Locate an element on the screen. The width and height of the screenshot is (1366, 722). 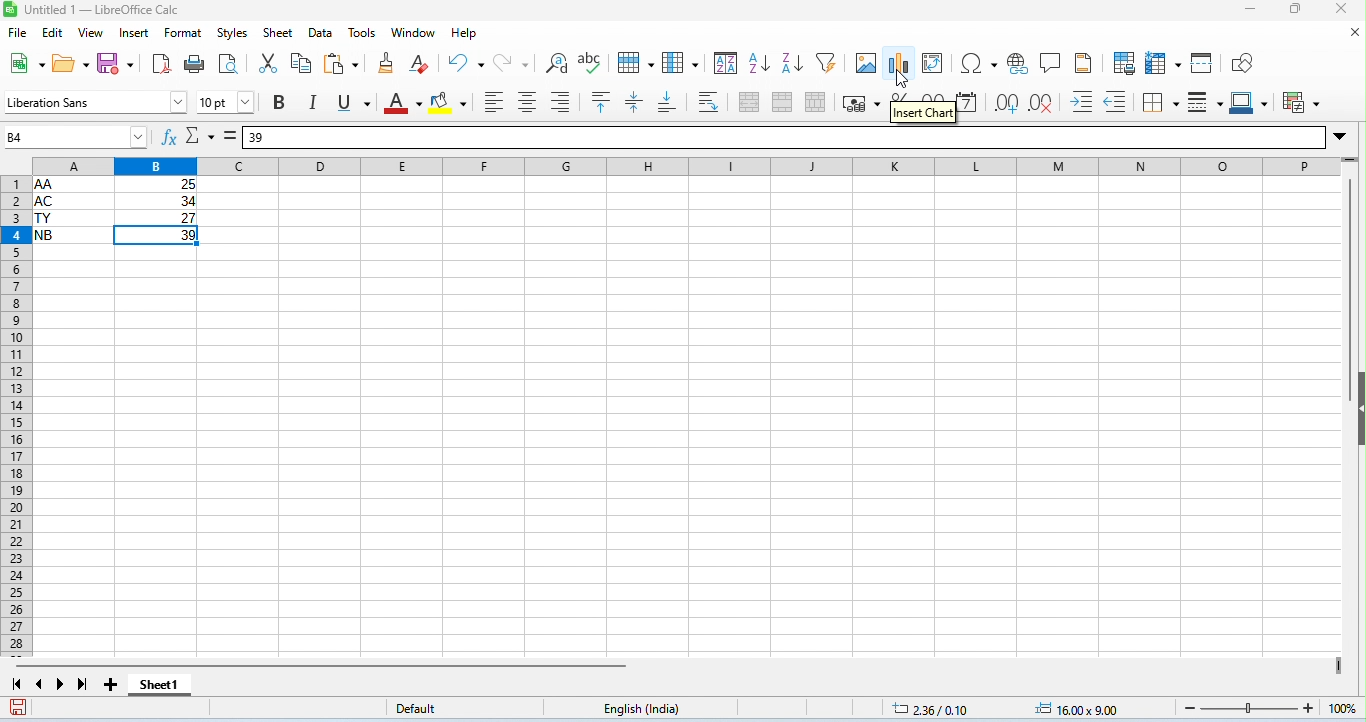
next sheet is located at coordinates (63, 685).